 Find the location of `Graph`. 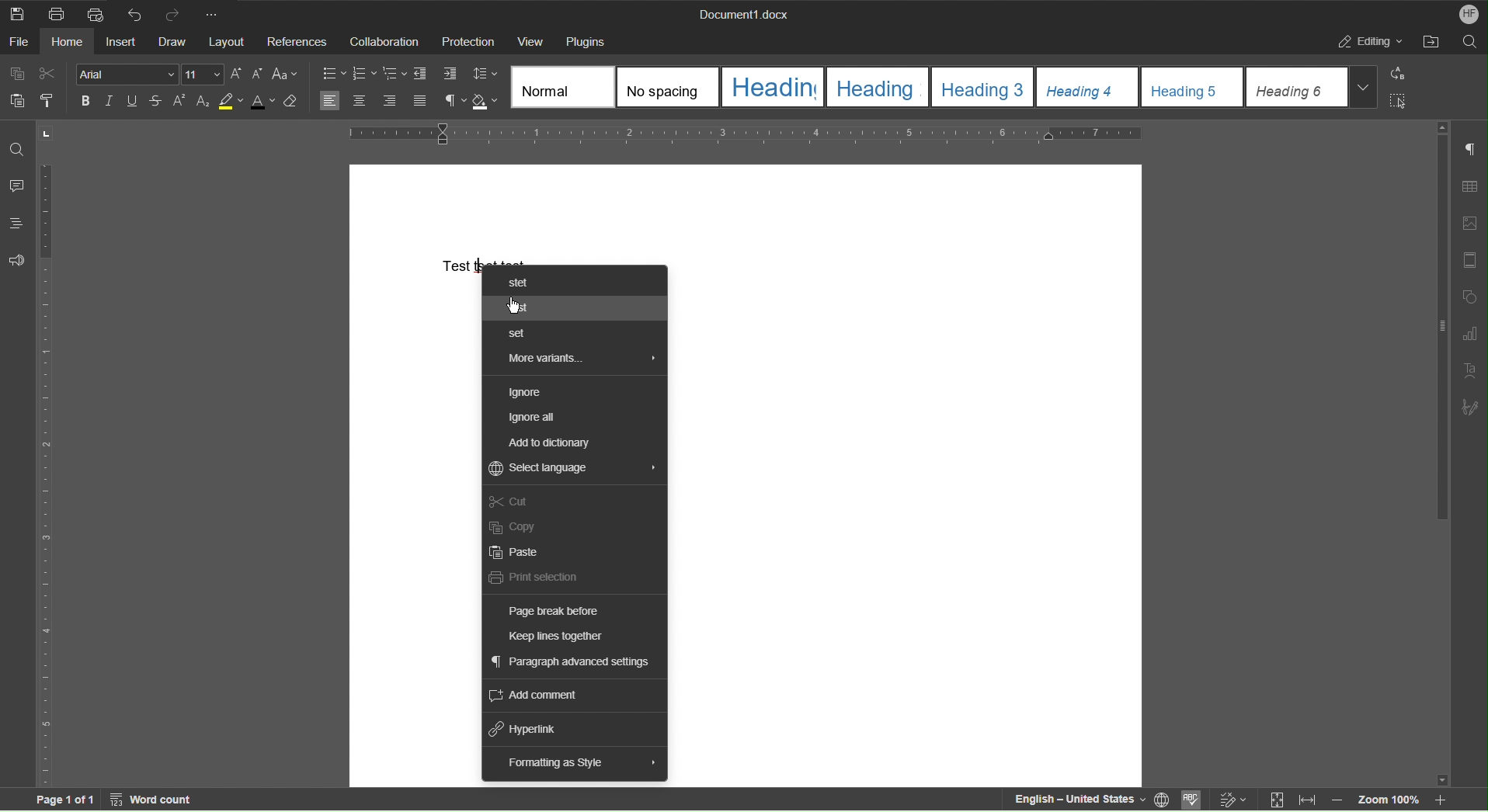

Graph is located at coordinates (1469, 335).